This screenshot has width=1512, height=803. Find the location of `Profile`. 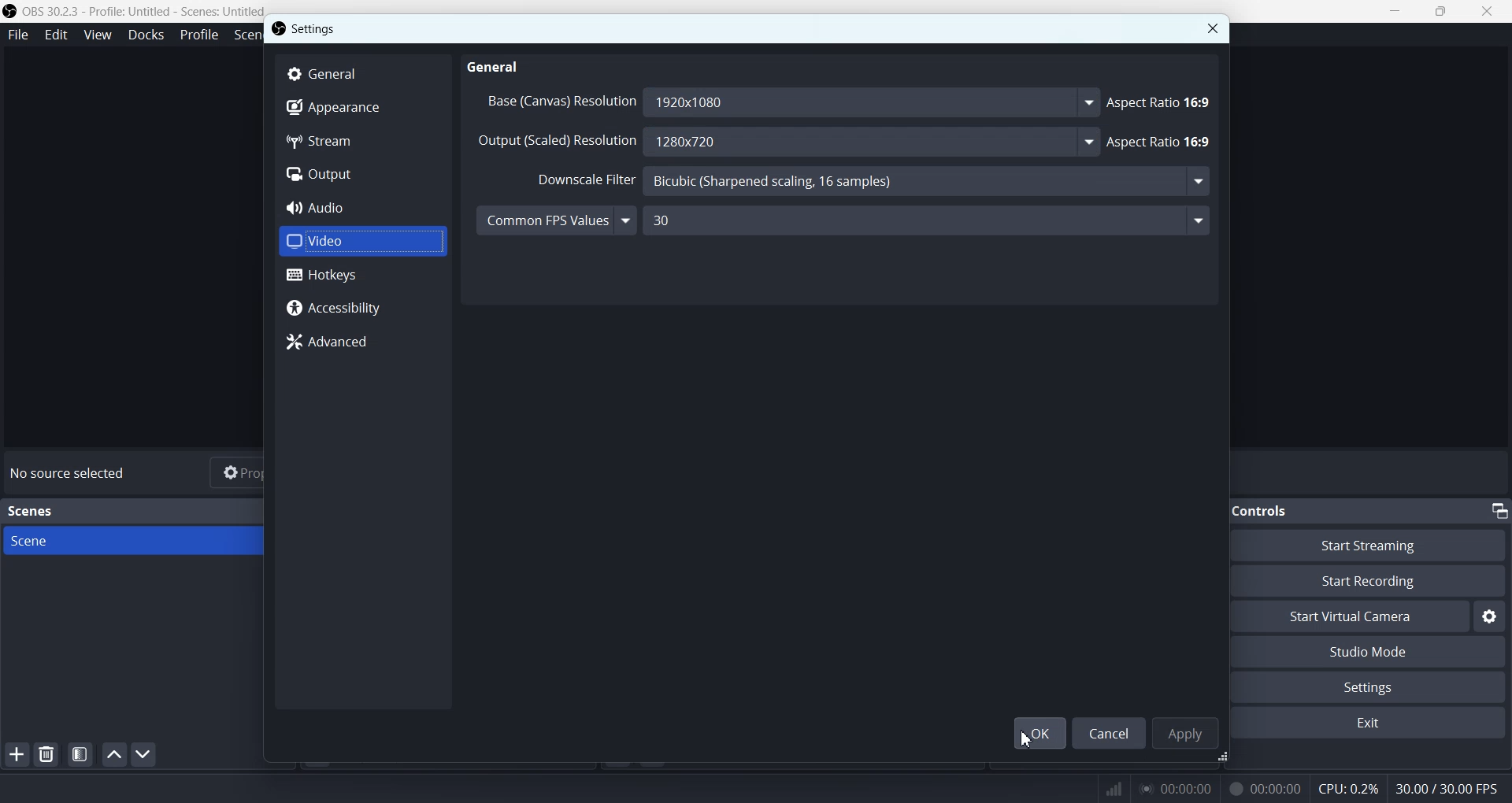

Profile is located at coordinates (199, 35).